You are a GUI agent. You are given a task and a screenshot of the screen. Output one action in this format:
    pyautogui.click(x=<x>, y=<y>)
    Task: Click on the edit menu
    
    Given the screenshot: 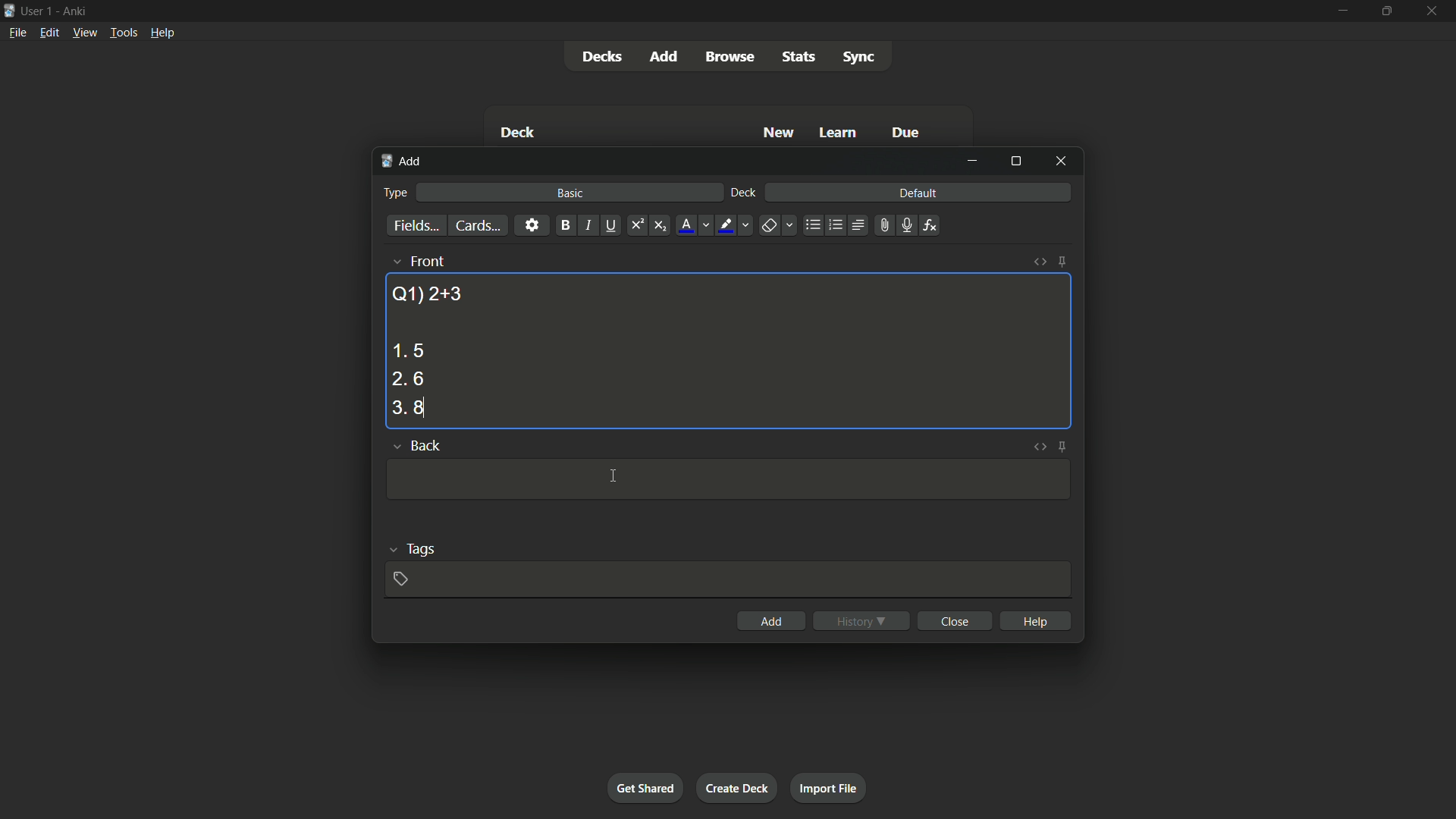 What is the action you would take?
    pyautogui.click(x=50, y=32)
    